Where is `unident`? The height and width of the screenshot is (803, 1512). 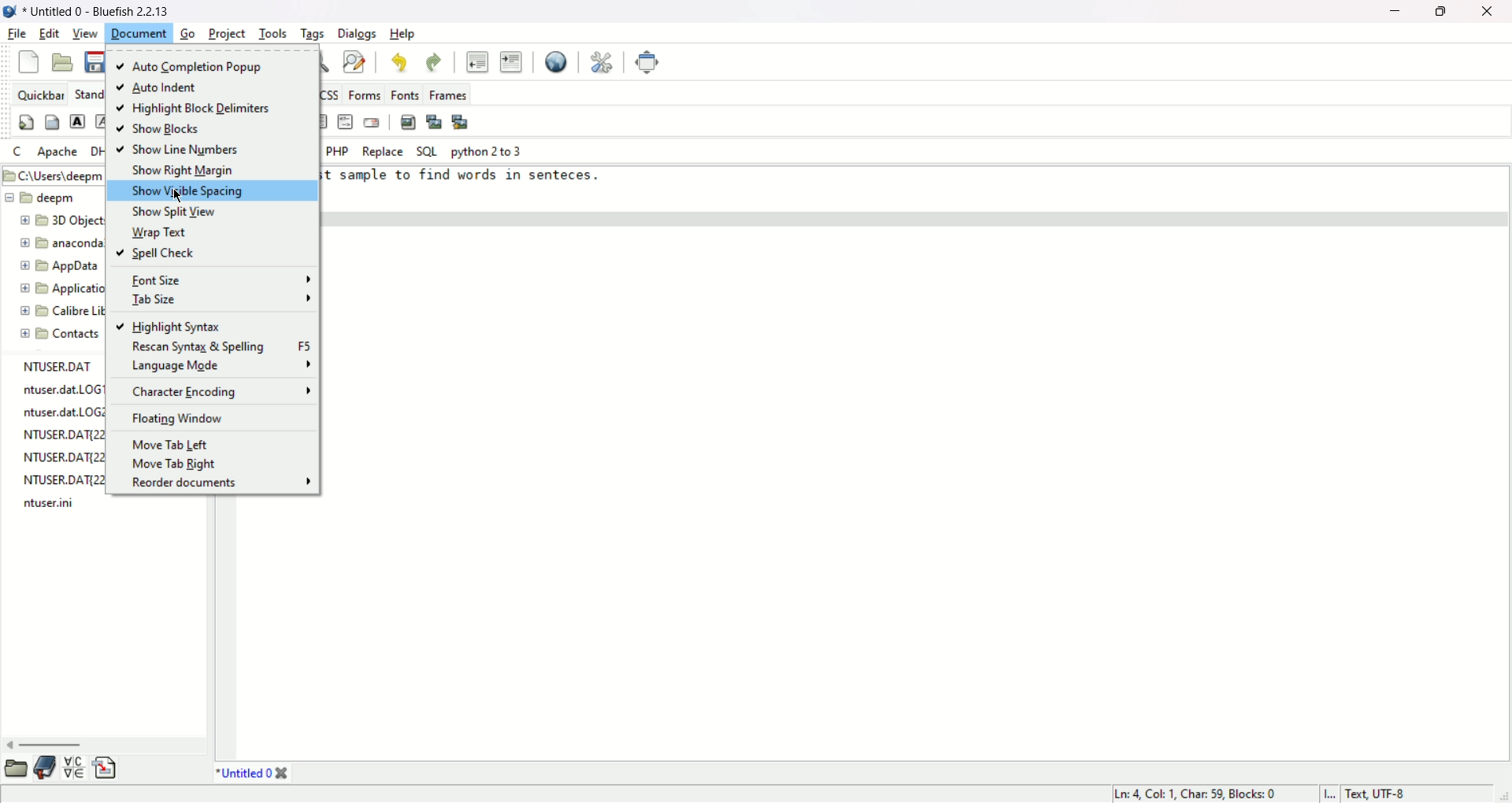
unident is located at coordinates (477, 61).